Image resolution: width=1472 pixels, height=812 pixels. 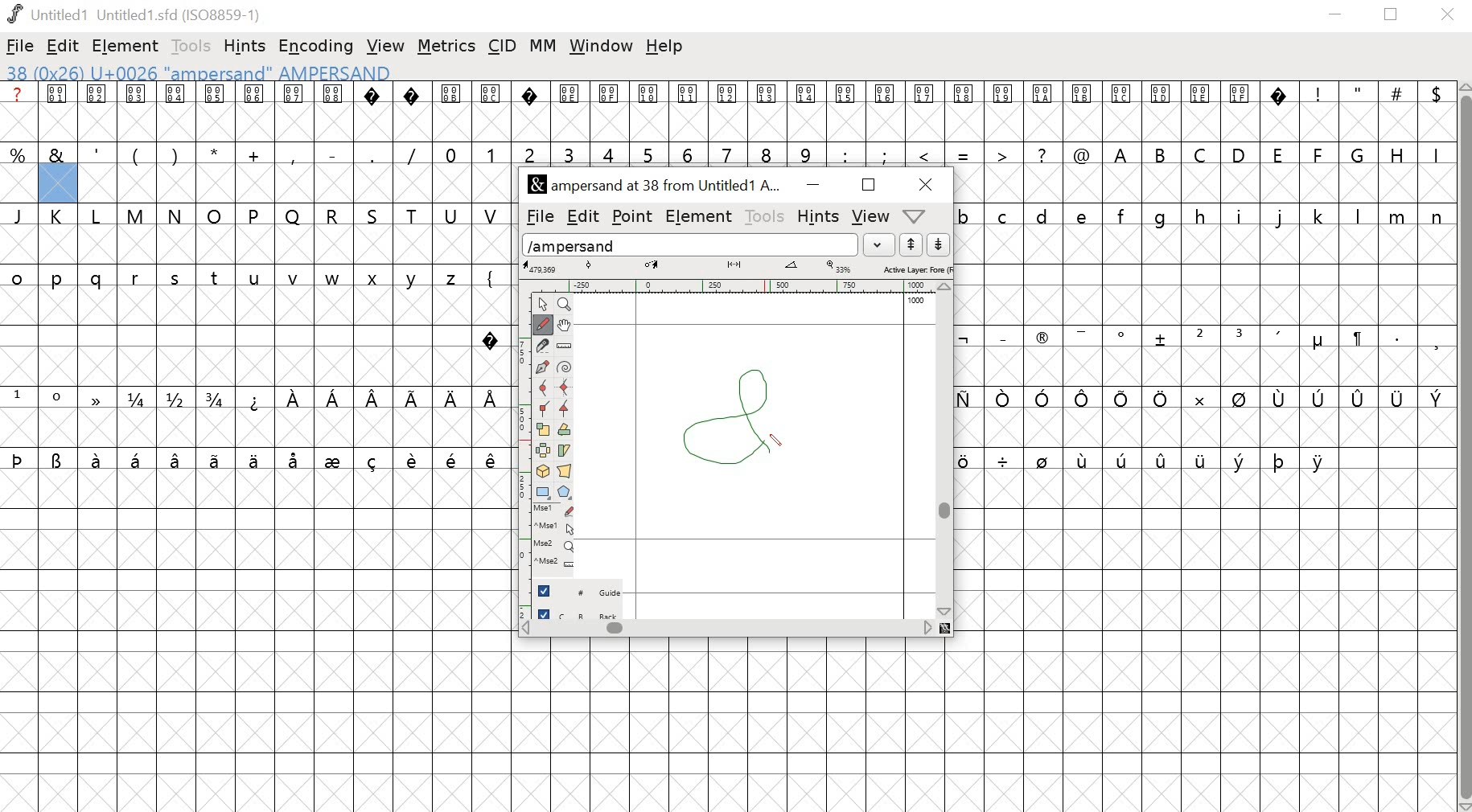 I want to click on symbol, so click(x=1281, y=399).